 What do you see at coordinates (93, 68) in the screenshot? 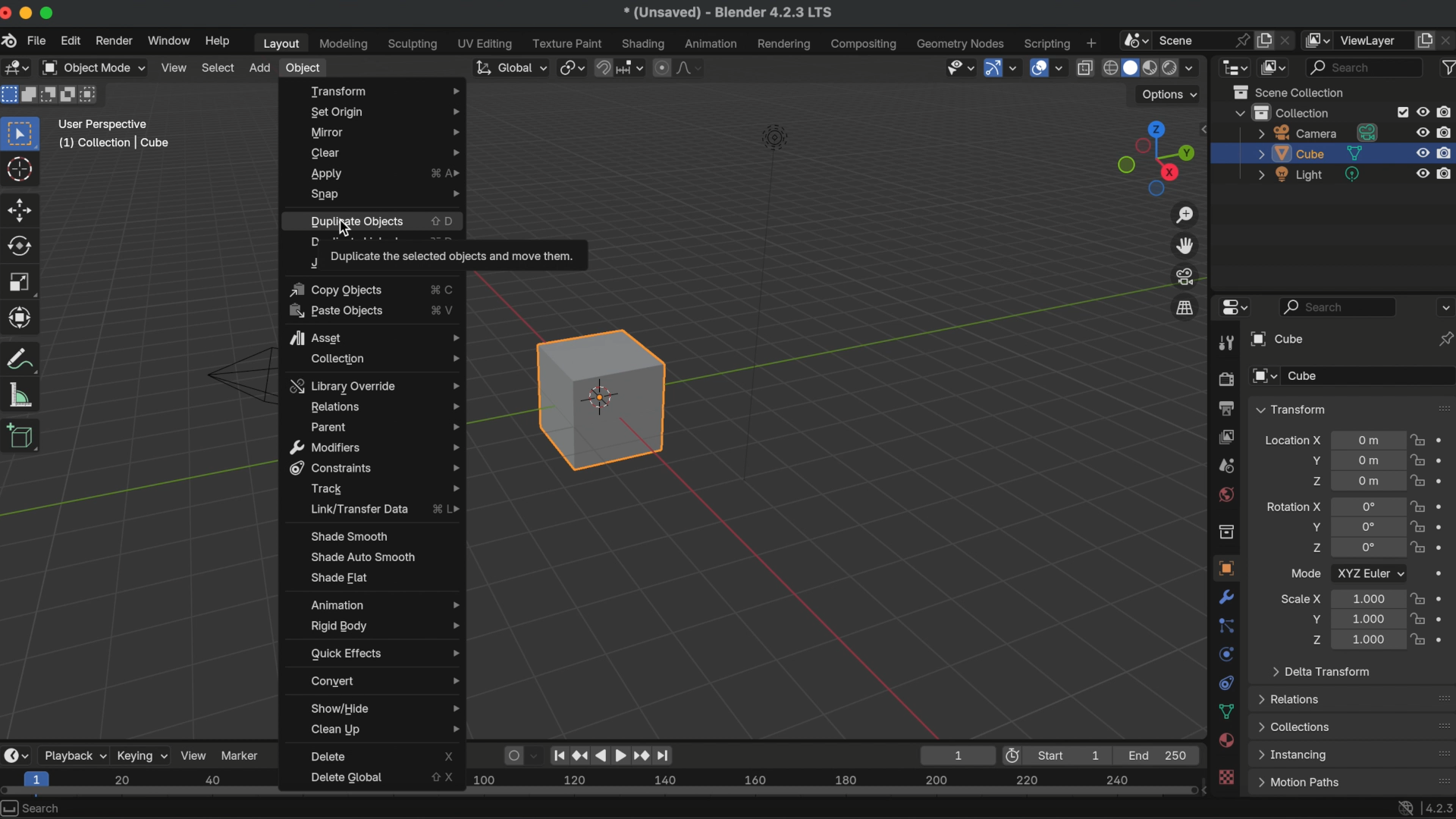
I see `object mode drop down` at bounding box center [93, 68].